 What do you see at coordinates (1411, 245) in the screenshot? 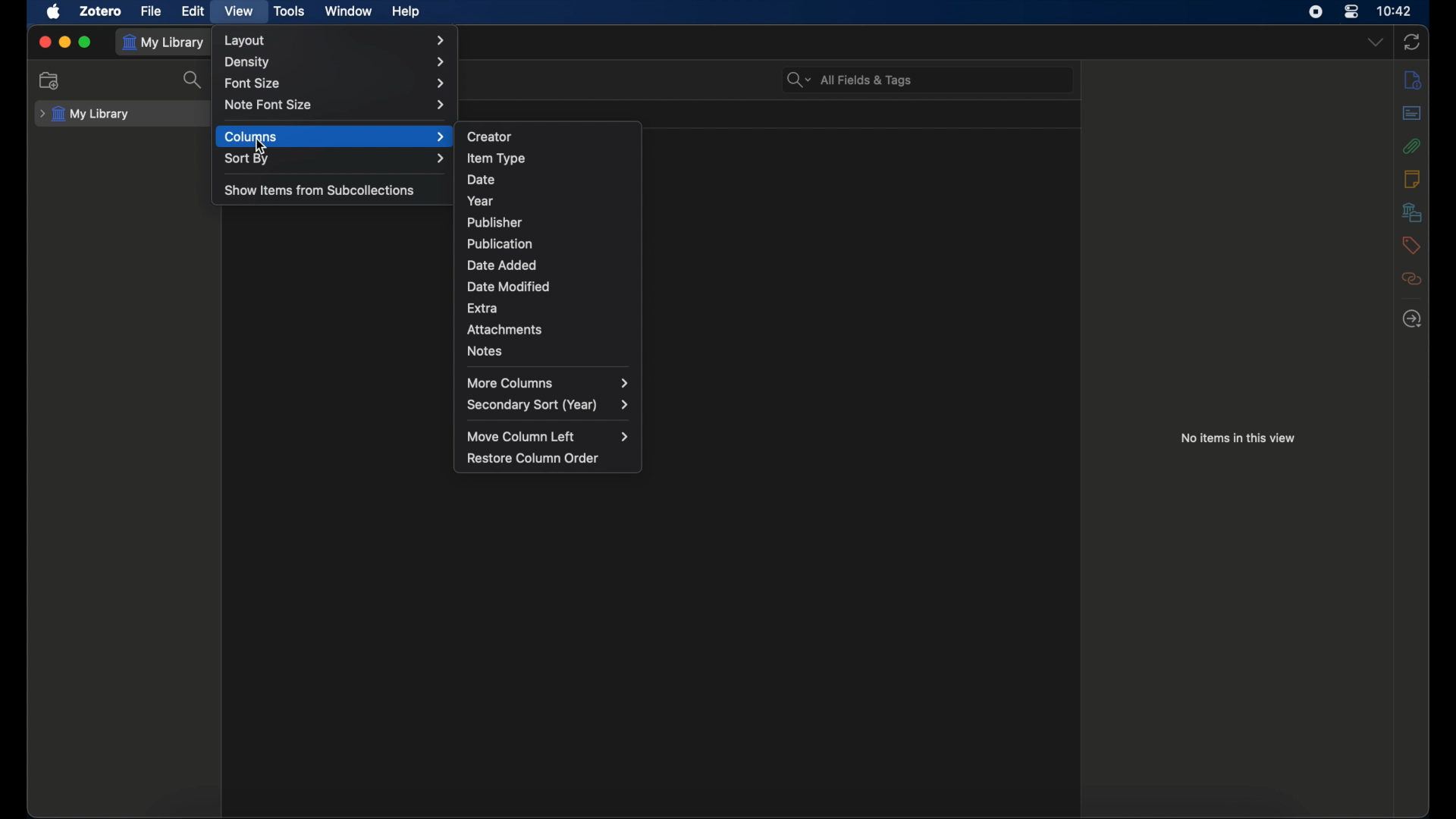
I see `tags` at bounding box center [1411, 245].